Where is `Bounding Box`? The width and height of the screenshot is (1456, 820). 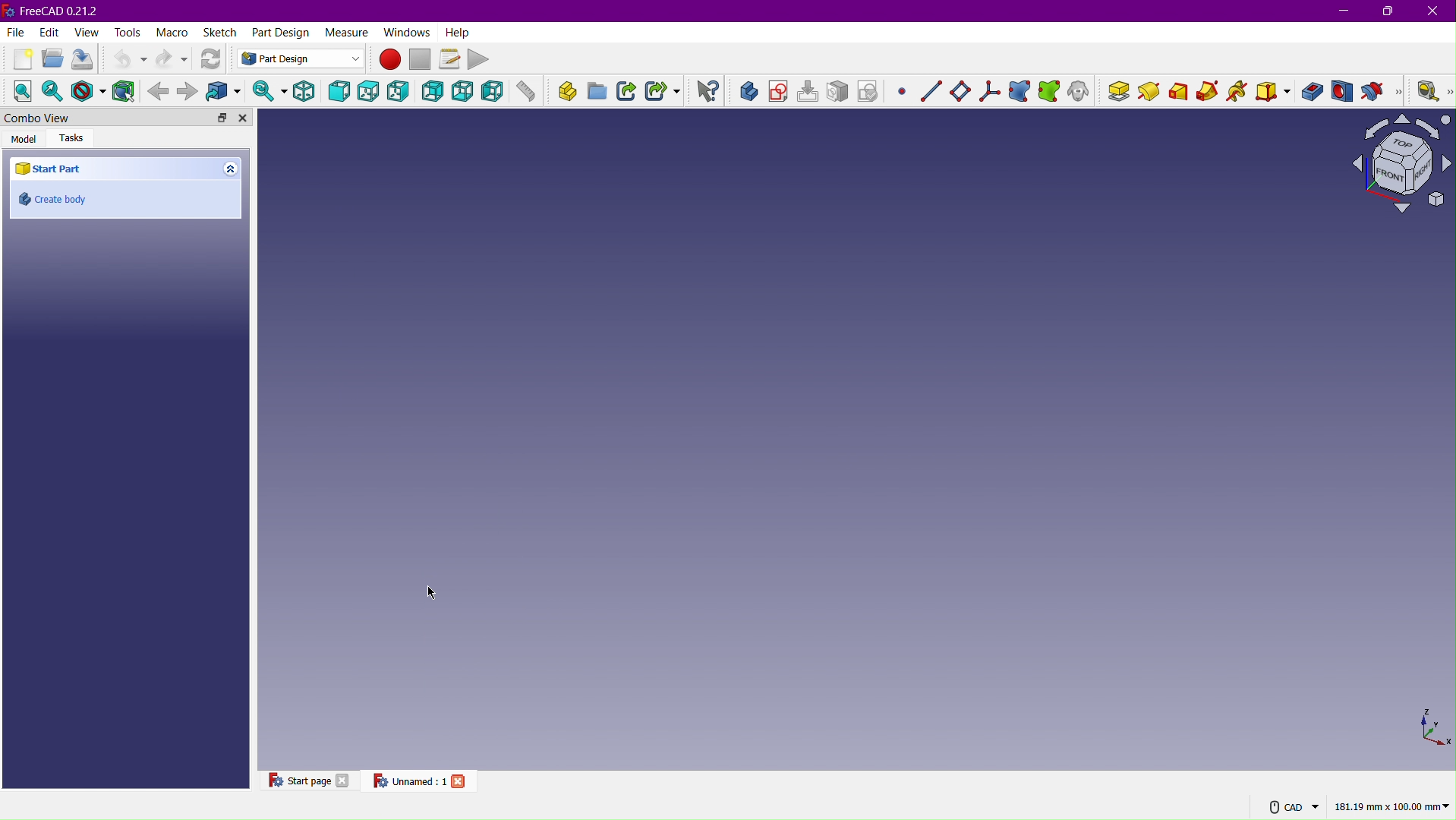
Bounding Box is located at coordinates (125, 93).